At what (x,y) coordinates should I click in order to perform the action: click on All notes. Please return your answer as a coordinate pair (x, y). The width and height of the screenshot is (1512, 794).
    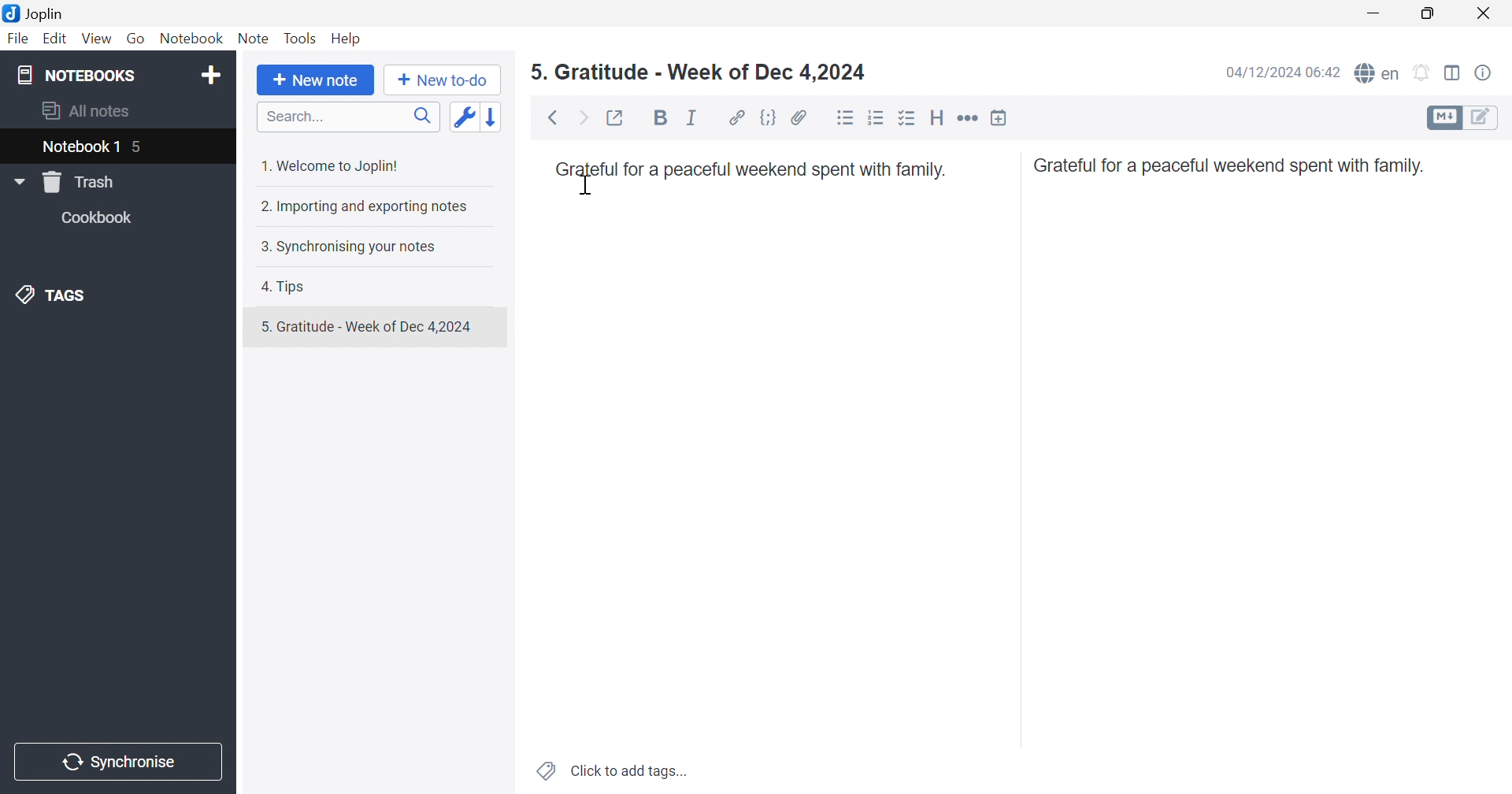
    Looking at the image, I should click on (89, 113).